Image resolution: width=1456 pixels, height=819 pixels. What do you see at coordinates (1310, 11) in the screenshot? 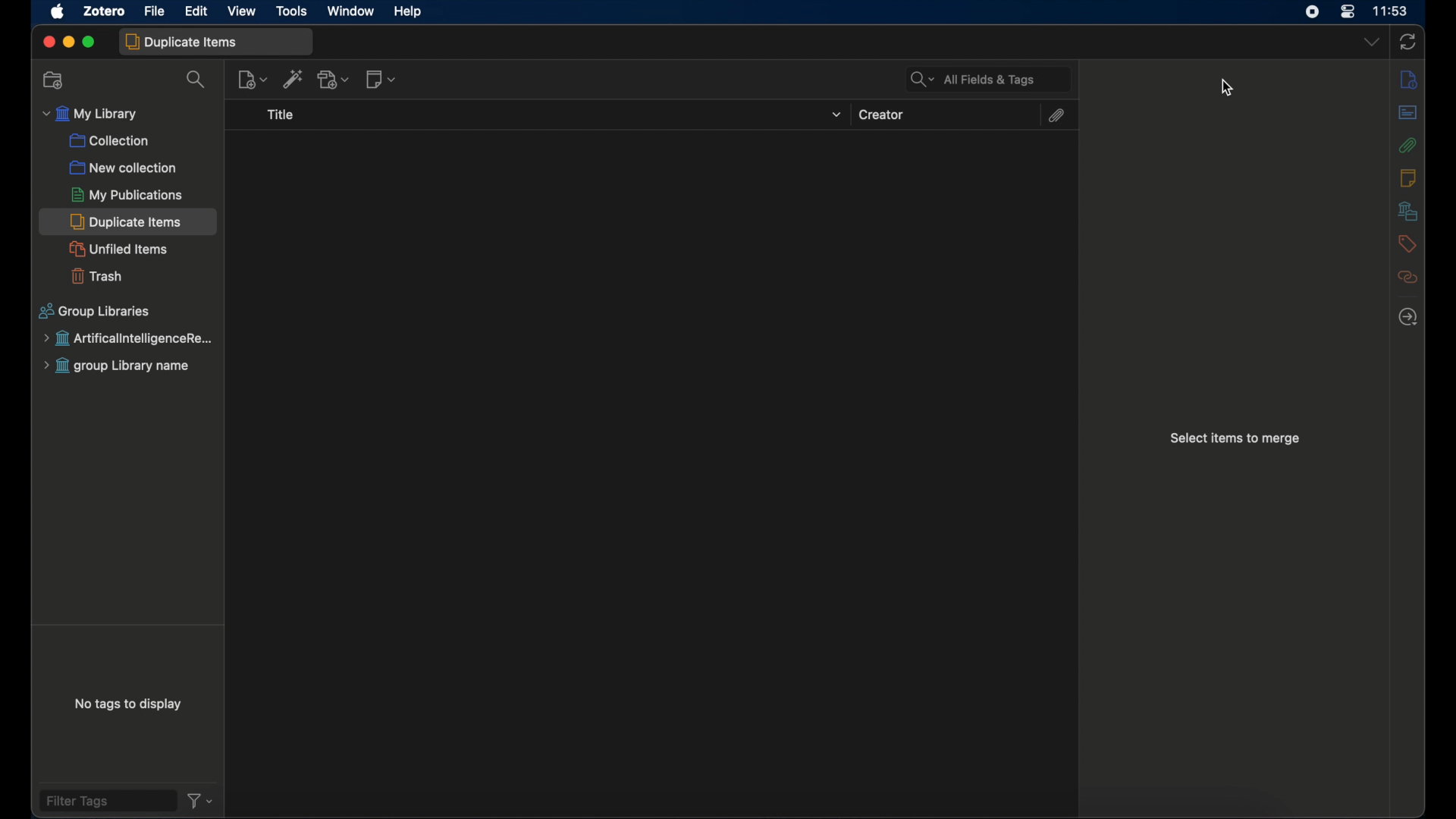
I see `screen recorder icon` at bounding box center [1310, 11].